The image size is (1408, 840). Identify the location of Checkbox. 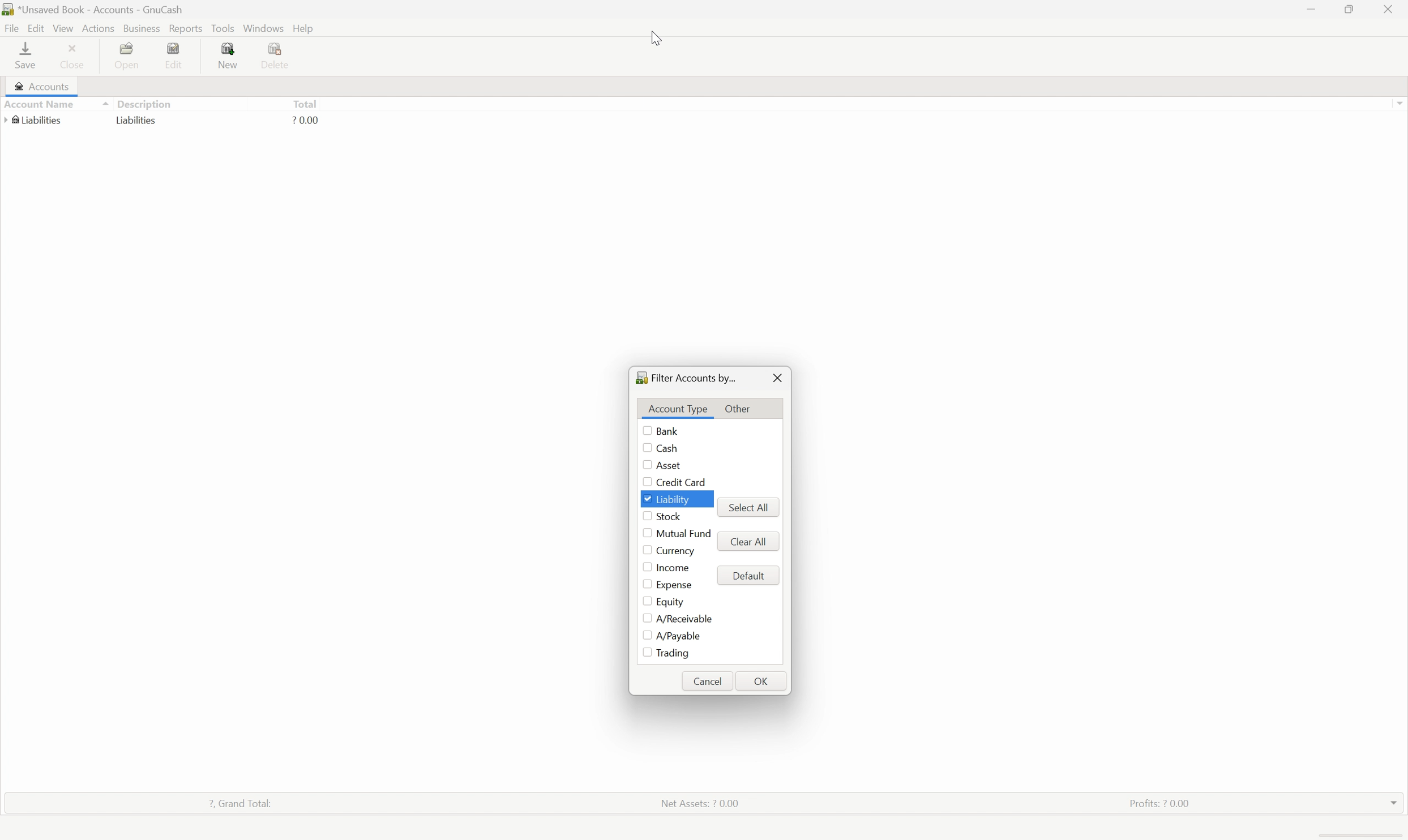
(643, 635).